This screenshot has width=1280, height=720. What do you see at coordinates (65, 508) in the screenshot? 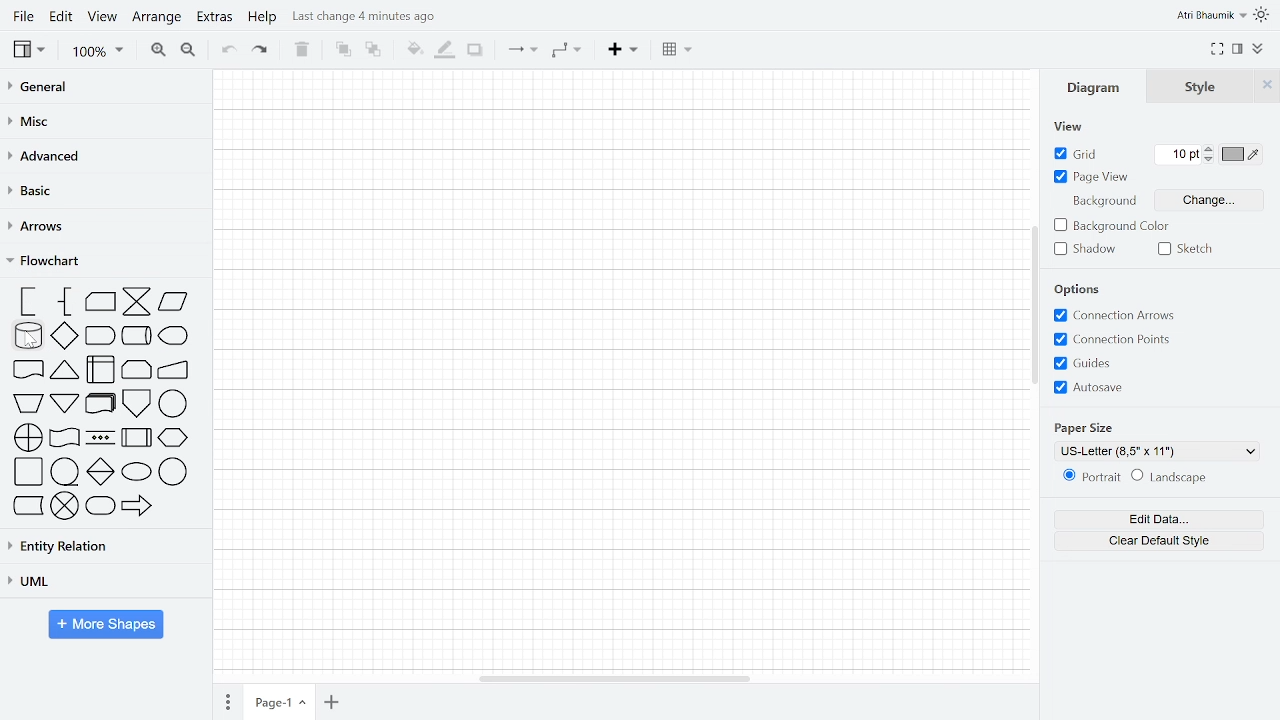
I see `summing junction` at bounding box center [65, 508].